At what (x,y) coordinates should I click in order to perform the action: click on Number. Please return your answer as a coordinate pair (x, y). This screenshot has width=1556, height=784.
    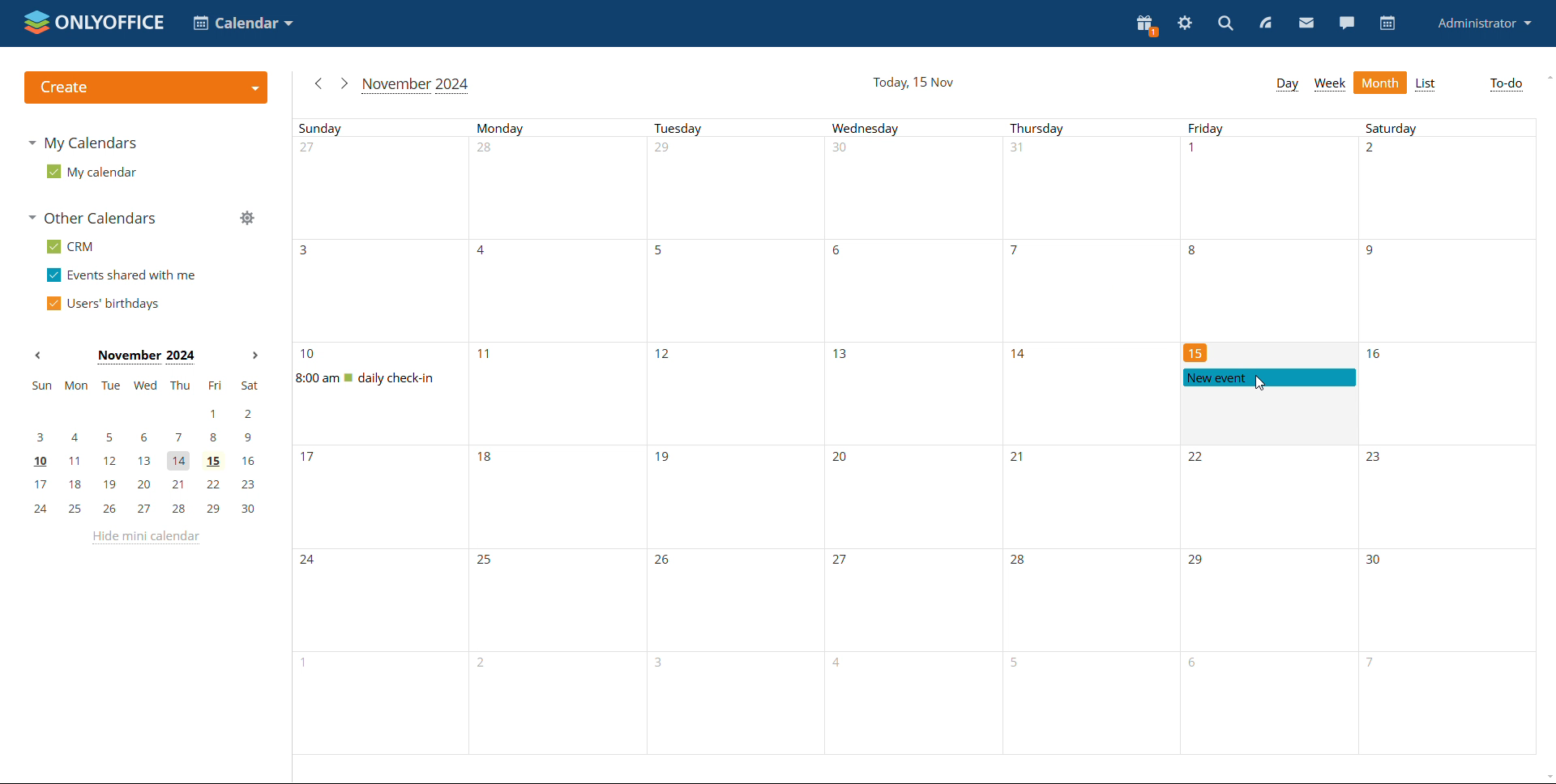
    Looking at the image, I should click on (311, 150).